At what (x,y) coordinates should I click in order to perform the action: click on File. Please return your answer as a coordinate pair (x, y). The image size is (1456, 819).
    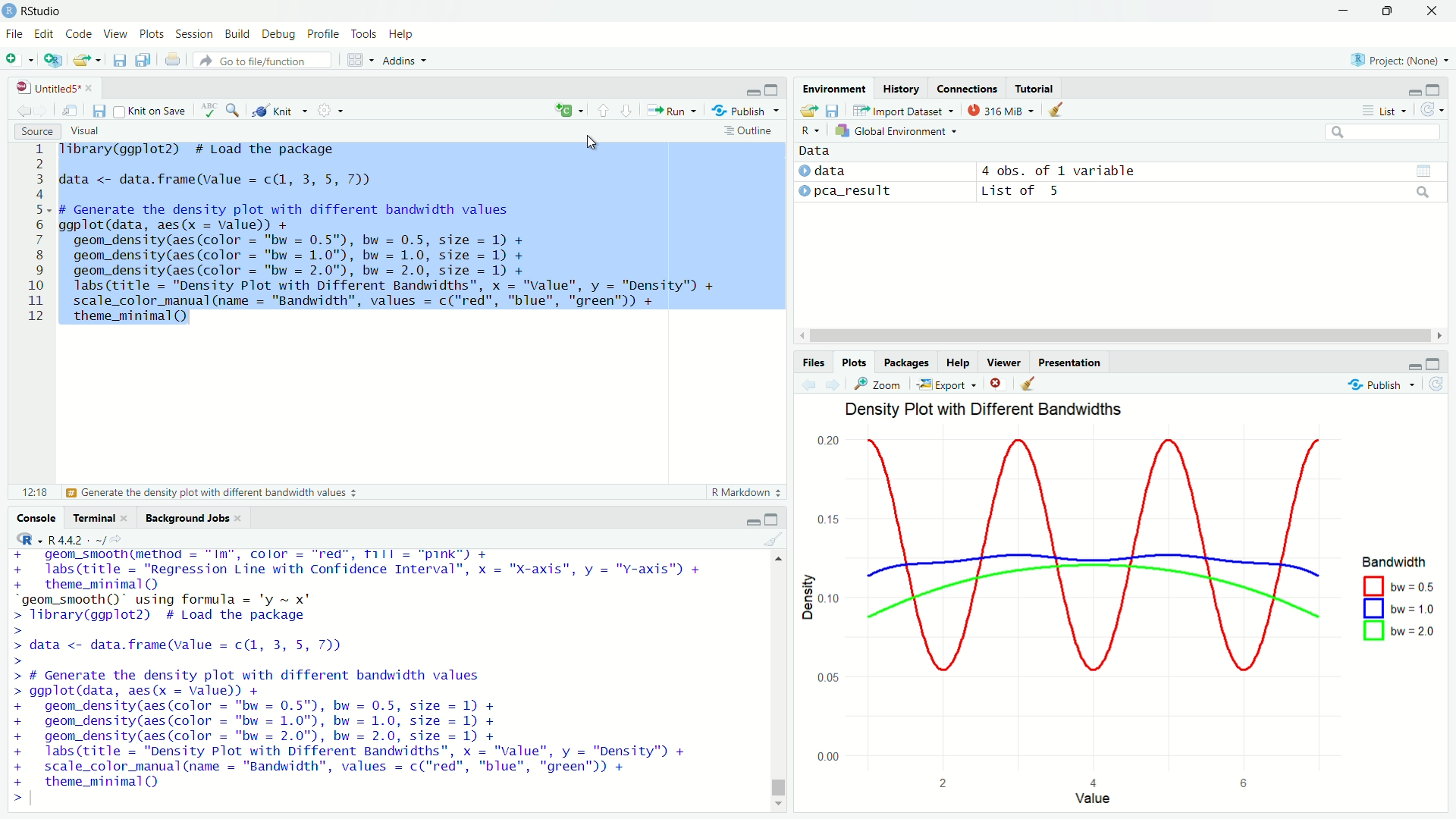
    Looking at the image, I should click on (14, 34).